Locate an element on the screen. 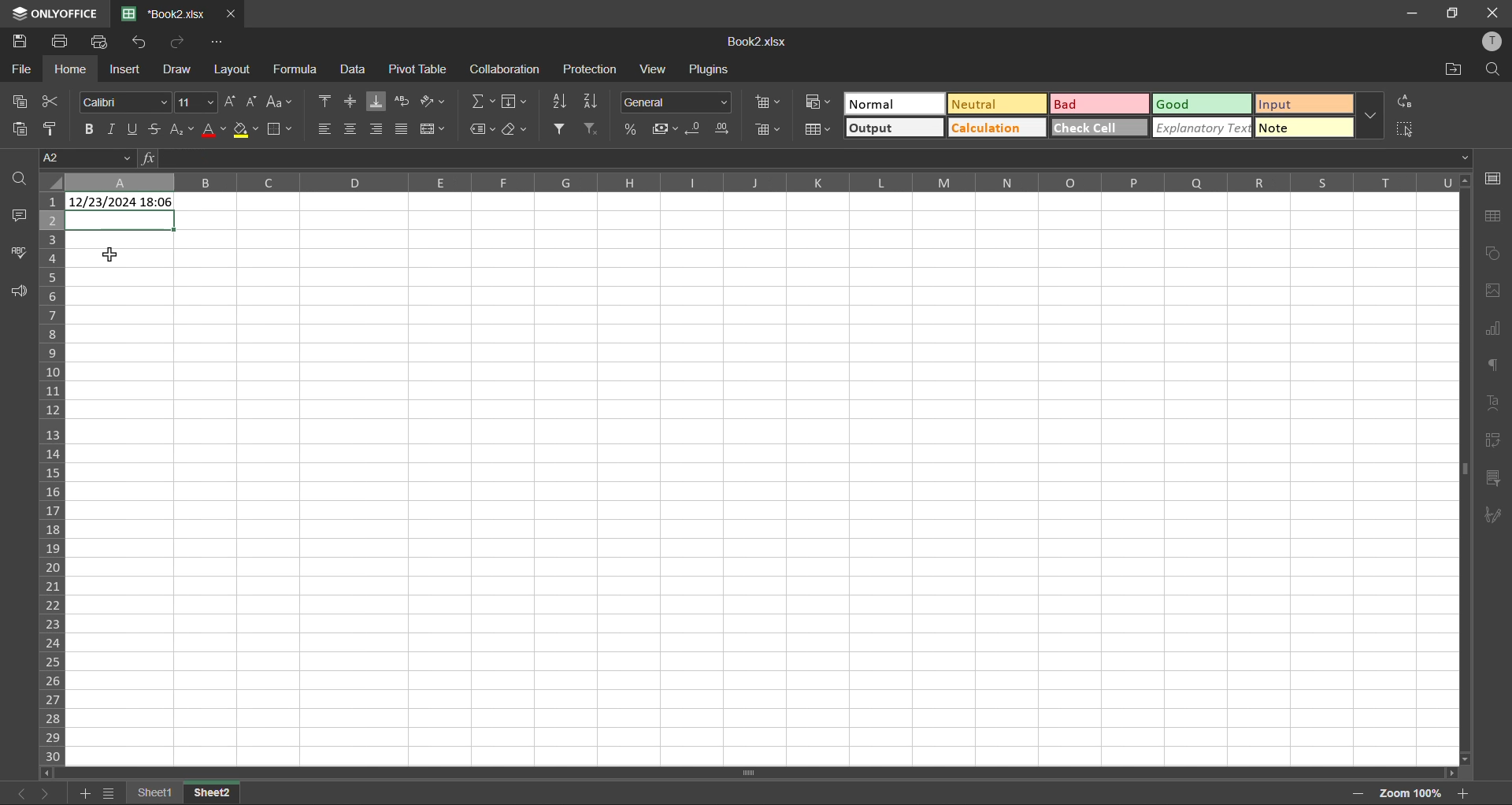 The image size is (1512, 805). text is located at coordinates (1492, 402).